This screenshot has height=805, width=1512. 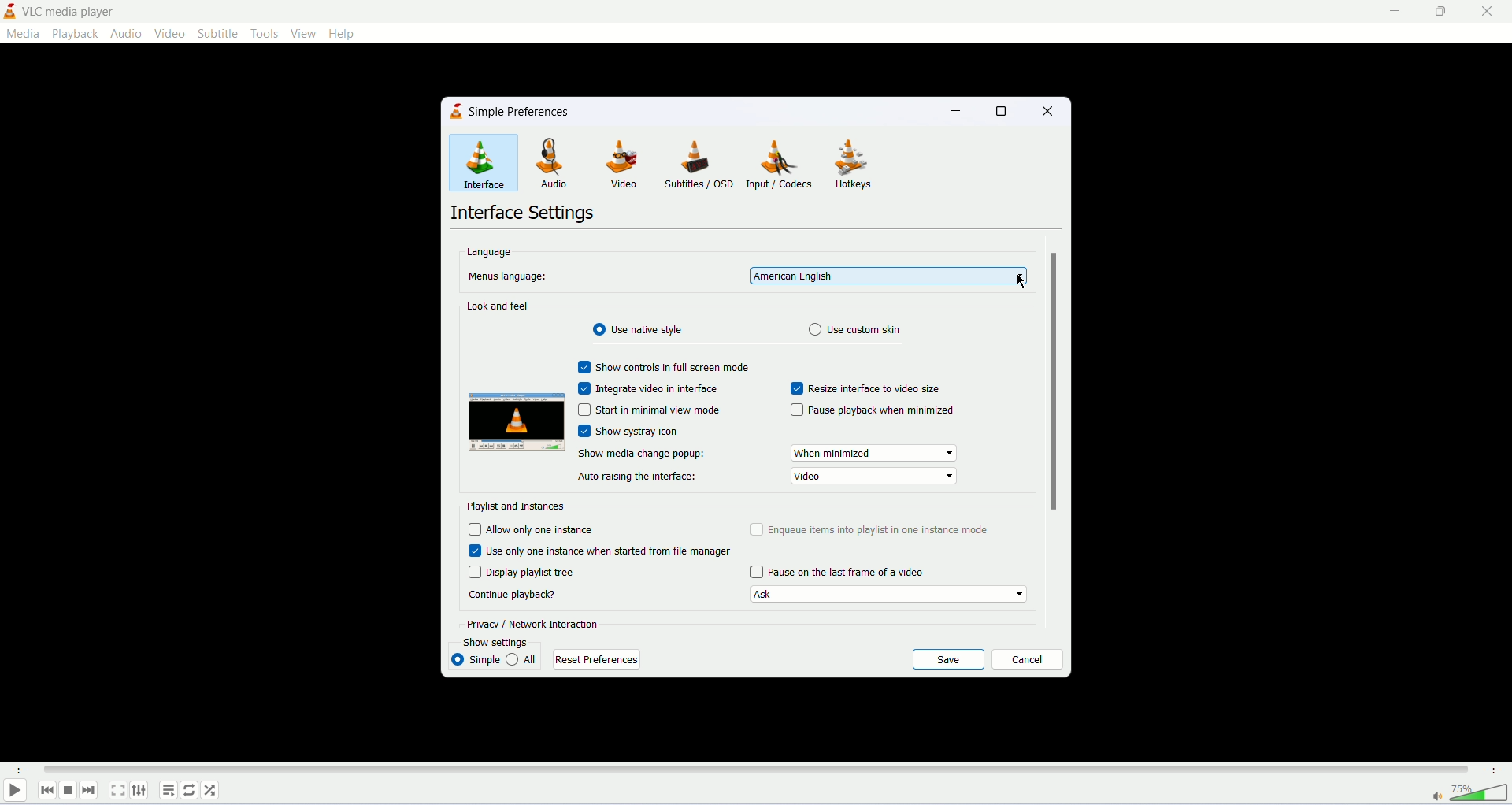 I want to click on set menu's language, so click(x=889, y=276).